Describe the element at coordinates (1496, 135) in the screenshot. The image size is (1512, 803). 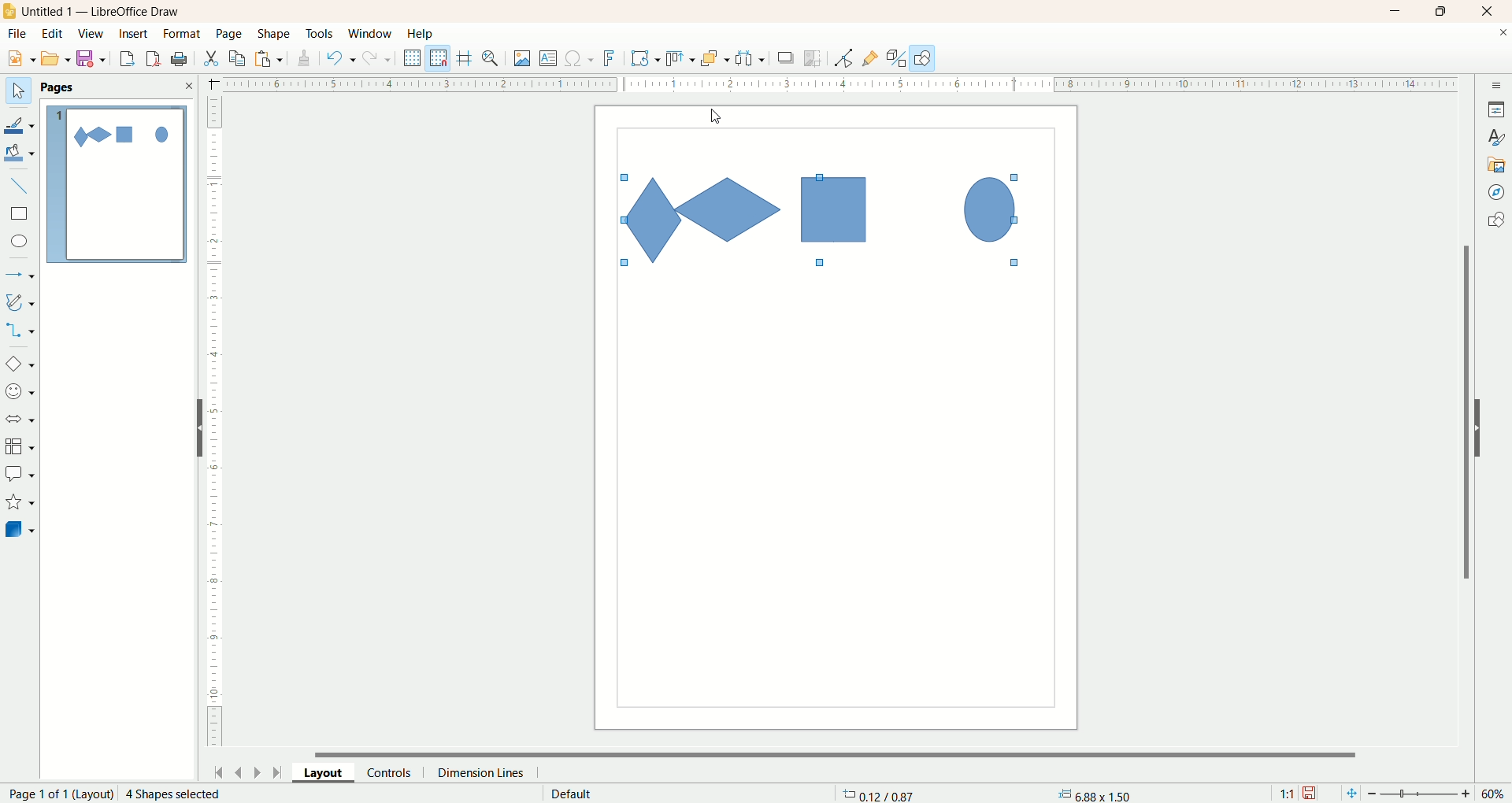
I see `styles` at that location.